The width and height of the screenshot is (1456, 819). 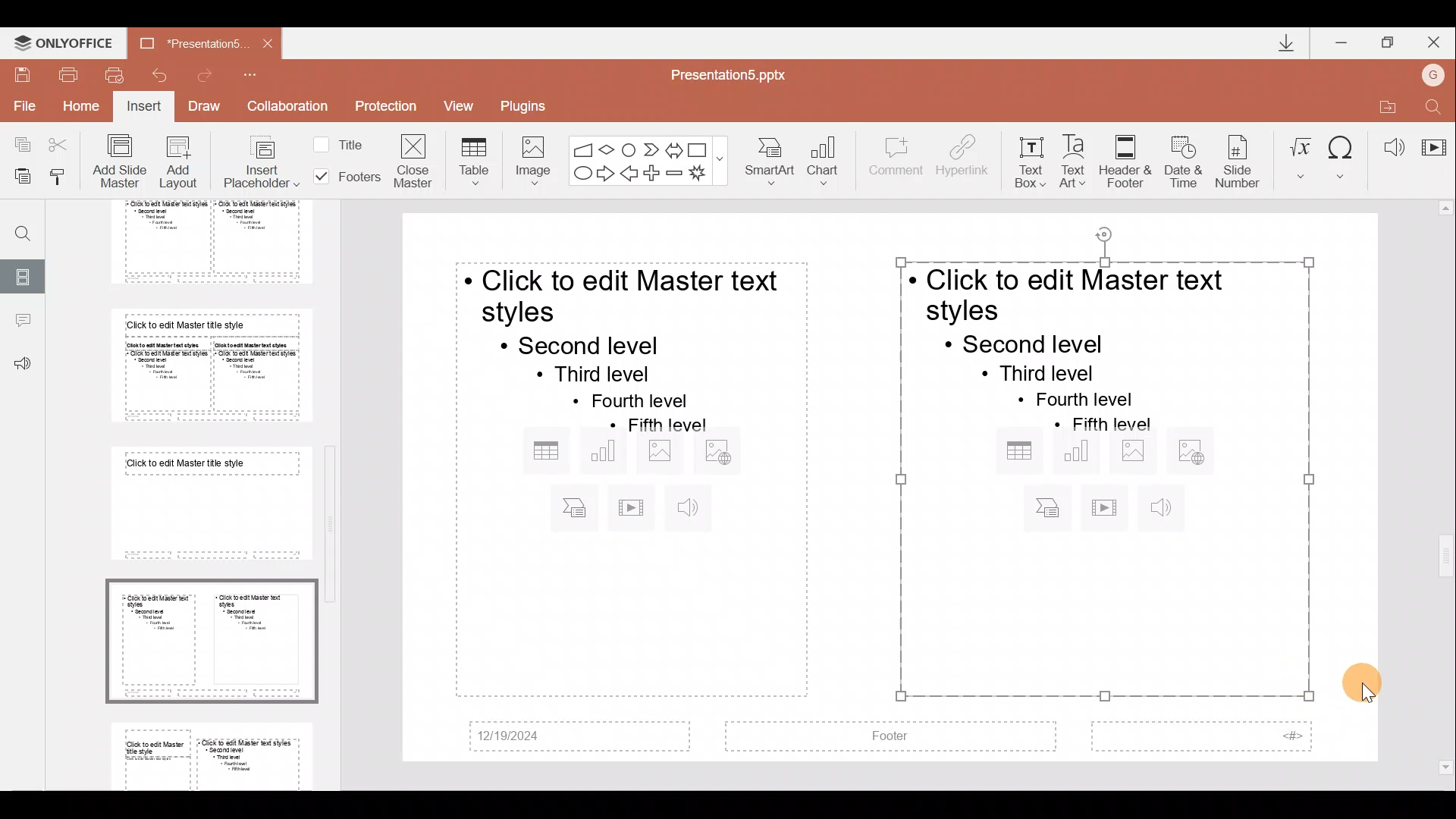 What do you see at coordinates (1388, 143) in the screenshot?
I see `Audio` at bounding box center [1388, 143].